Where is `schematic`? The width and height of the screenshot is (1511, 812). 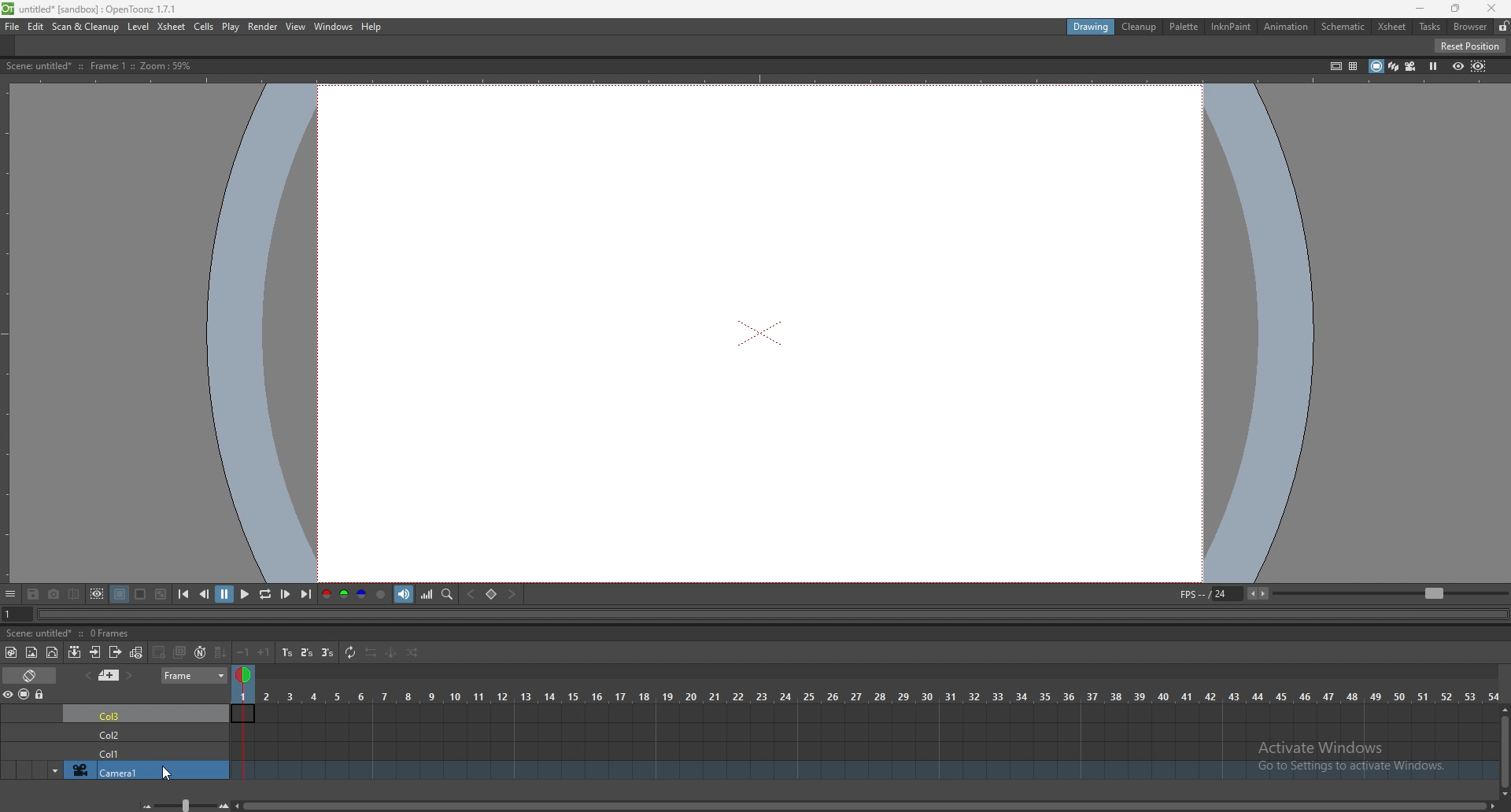
schematic is located at coordinates (1343, 26).